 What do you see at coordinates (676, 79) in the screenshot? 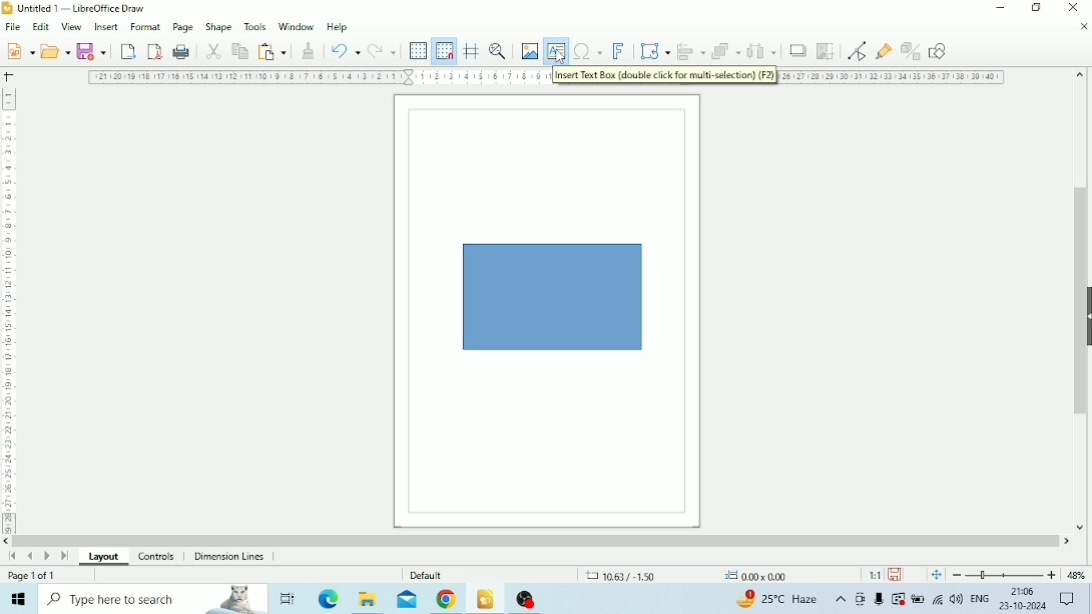
I see `tooltip` at bounding box center [676, 79].